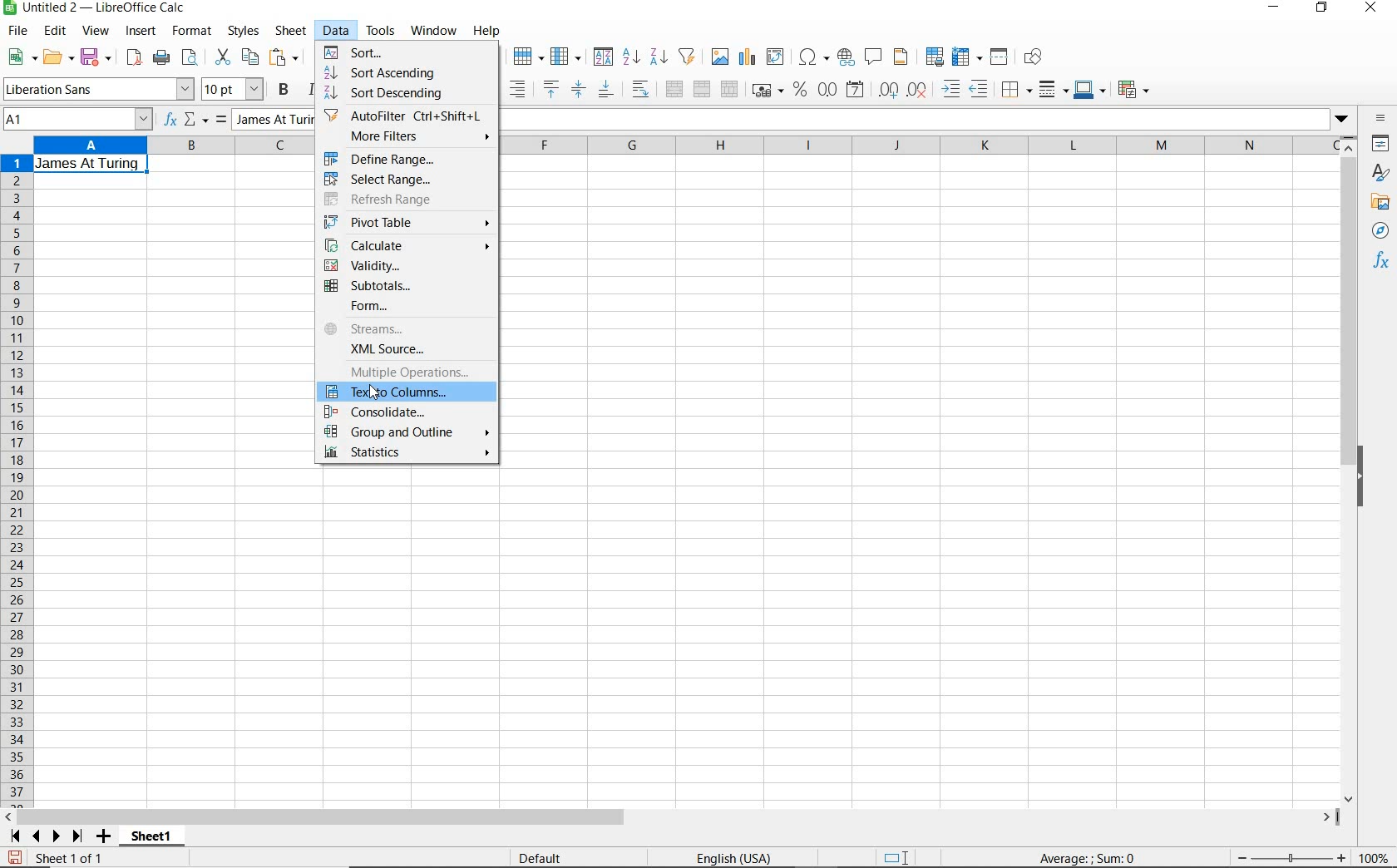 This screenshot has height=868, width=1397. I want to click on align top, so click(550, 89).